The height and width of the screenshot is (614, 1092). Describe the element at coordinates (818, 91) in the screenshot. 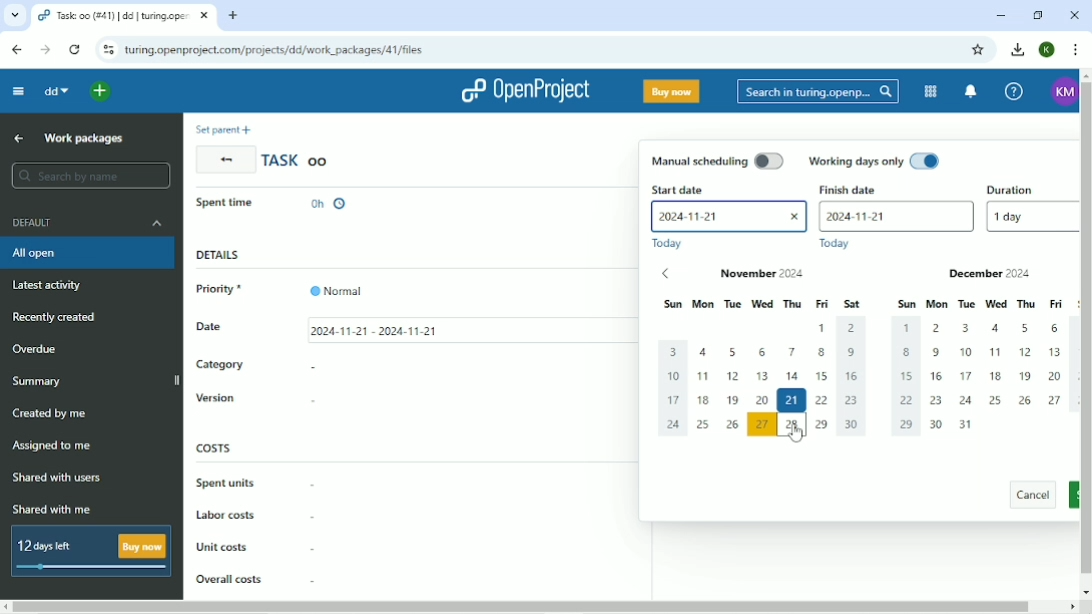

I see `Search` at that location.